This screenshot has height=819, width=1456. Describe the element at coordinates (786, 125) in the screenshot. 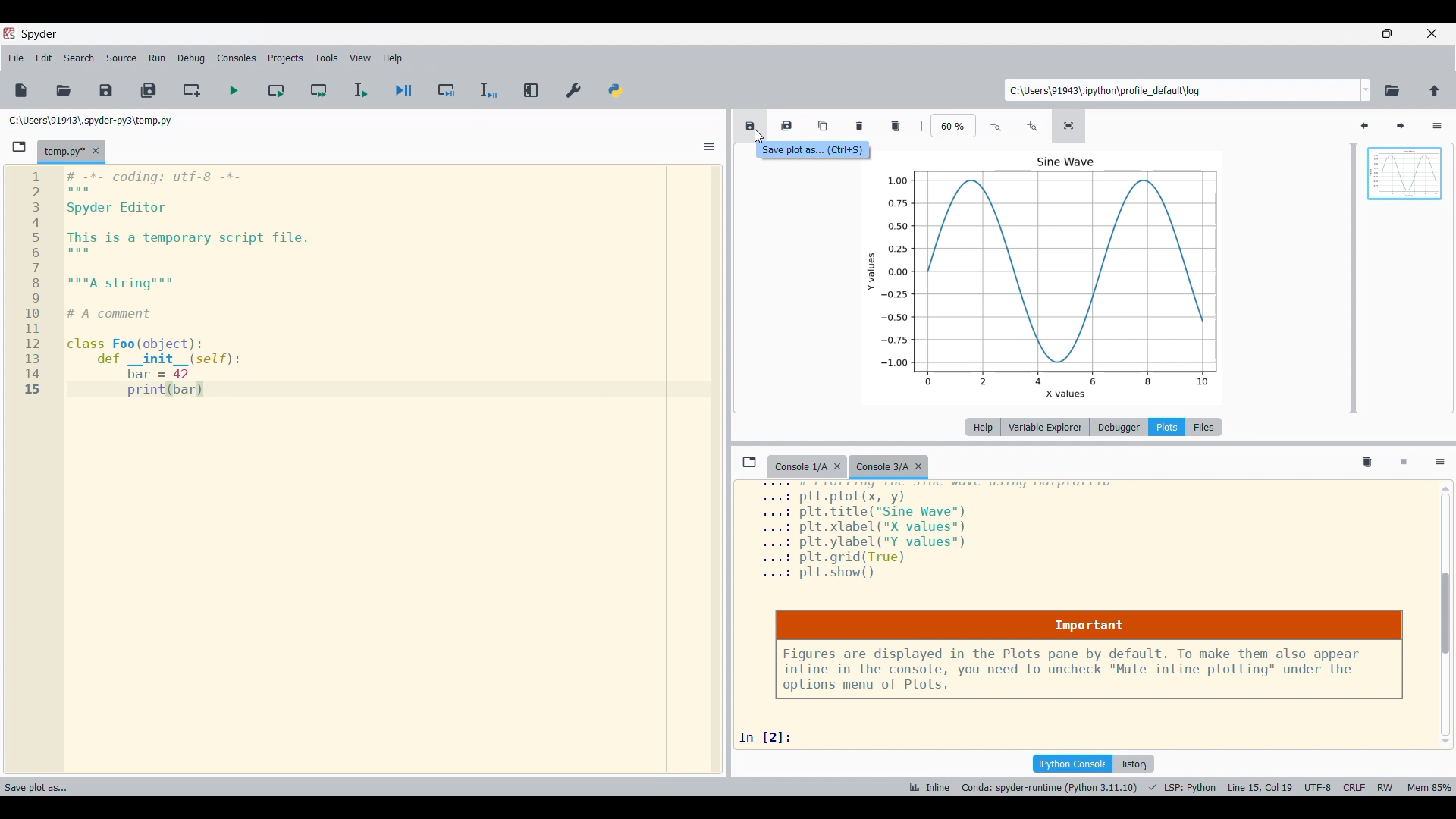

I see `Save all plots` at that location.